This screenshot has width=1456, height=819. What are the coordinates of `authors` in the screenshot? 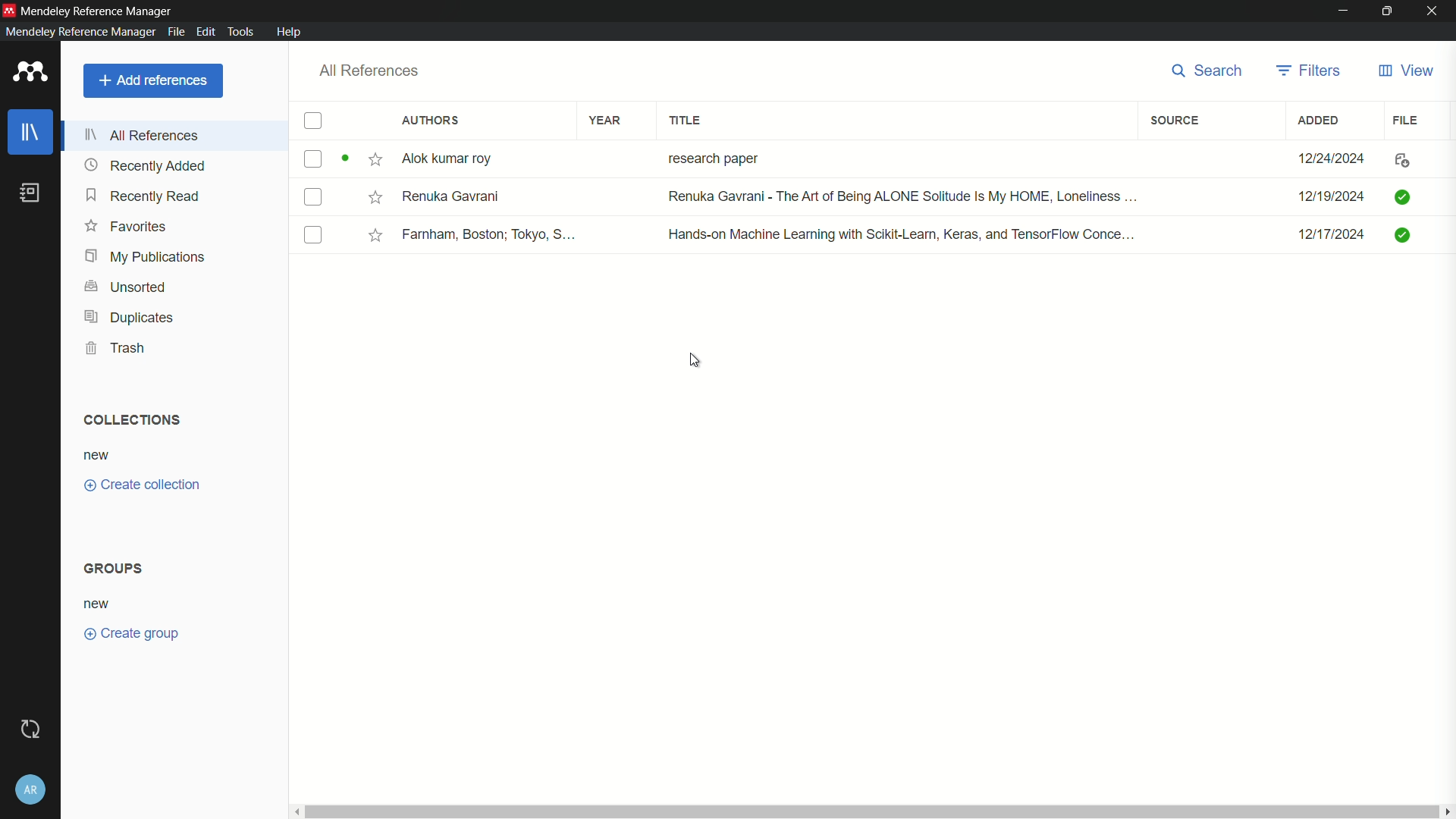 It's located at (431, 120).